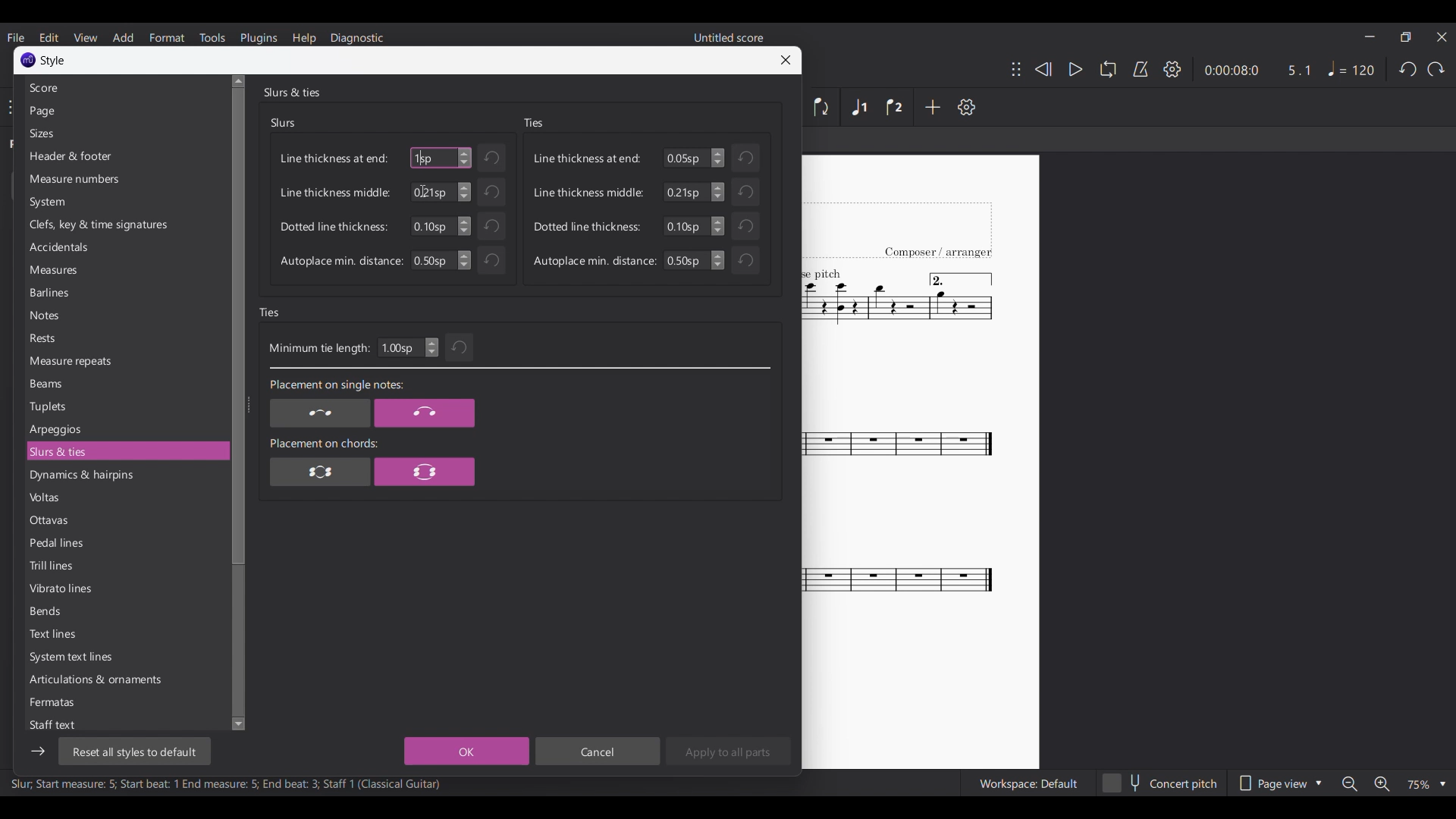 Image resolution: width=1456 pixels, height=819 pixels. Describe the element at coordinates (124, 542) in the screenshot. I see `Pedal lines` at that location.